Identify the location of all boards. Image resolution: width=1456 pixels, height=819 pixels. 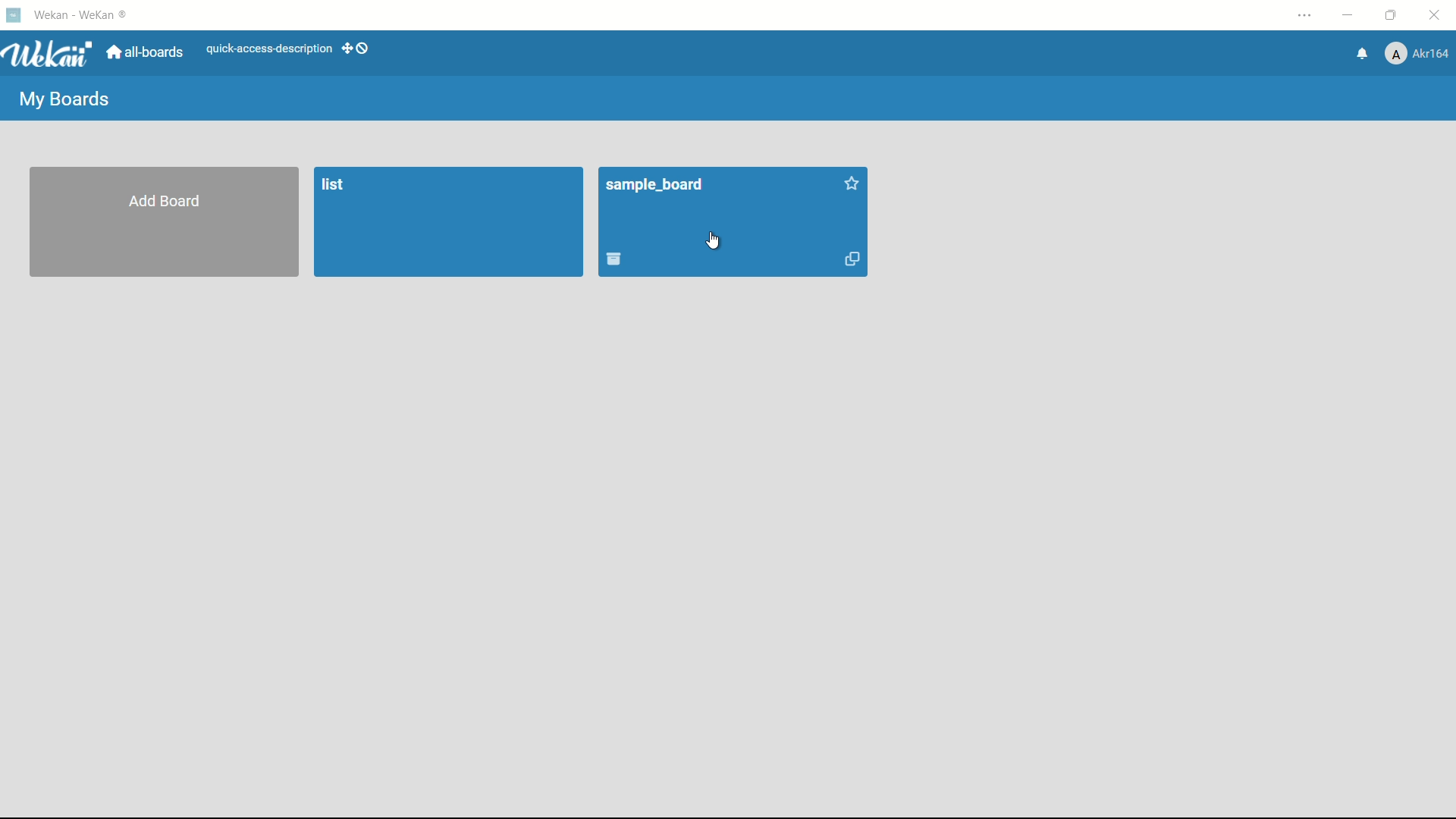
(145, 53).